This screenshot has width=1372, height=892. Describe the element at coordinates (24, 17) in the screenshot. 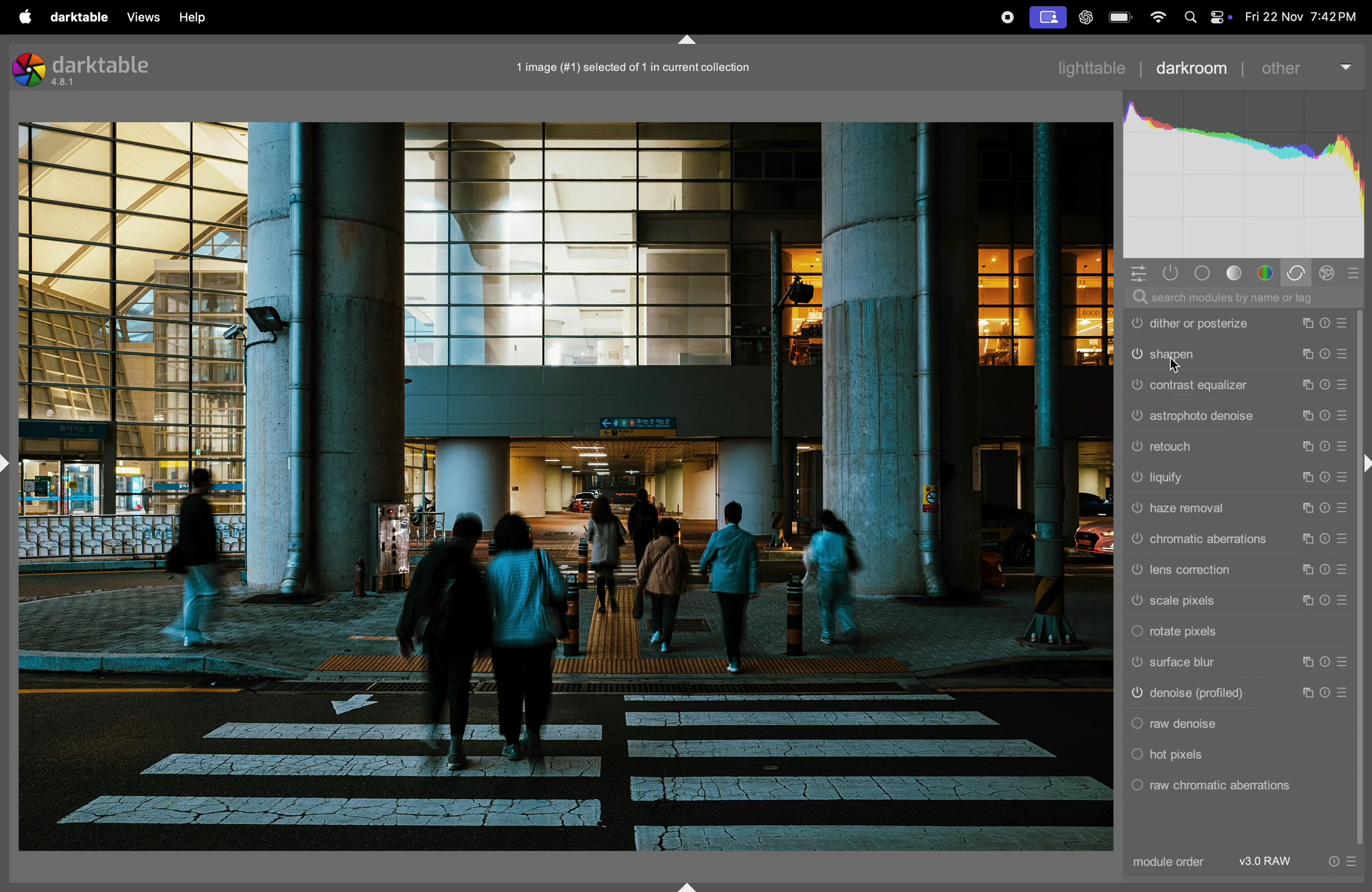

I see `apple menu` at that location.